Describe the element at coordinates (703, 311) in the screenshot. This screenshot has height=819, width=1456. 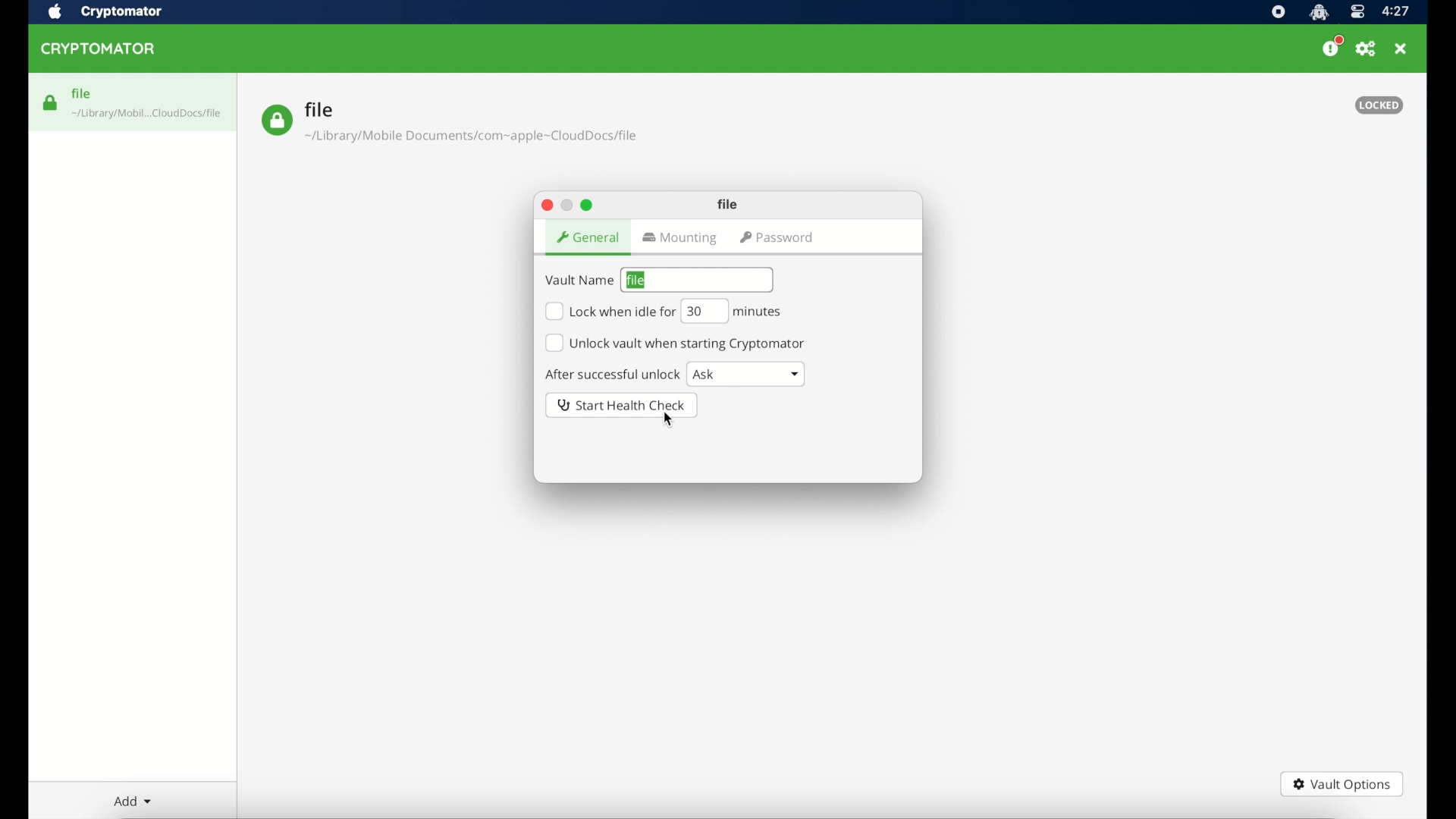
I see `30` at that location.